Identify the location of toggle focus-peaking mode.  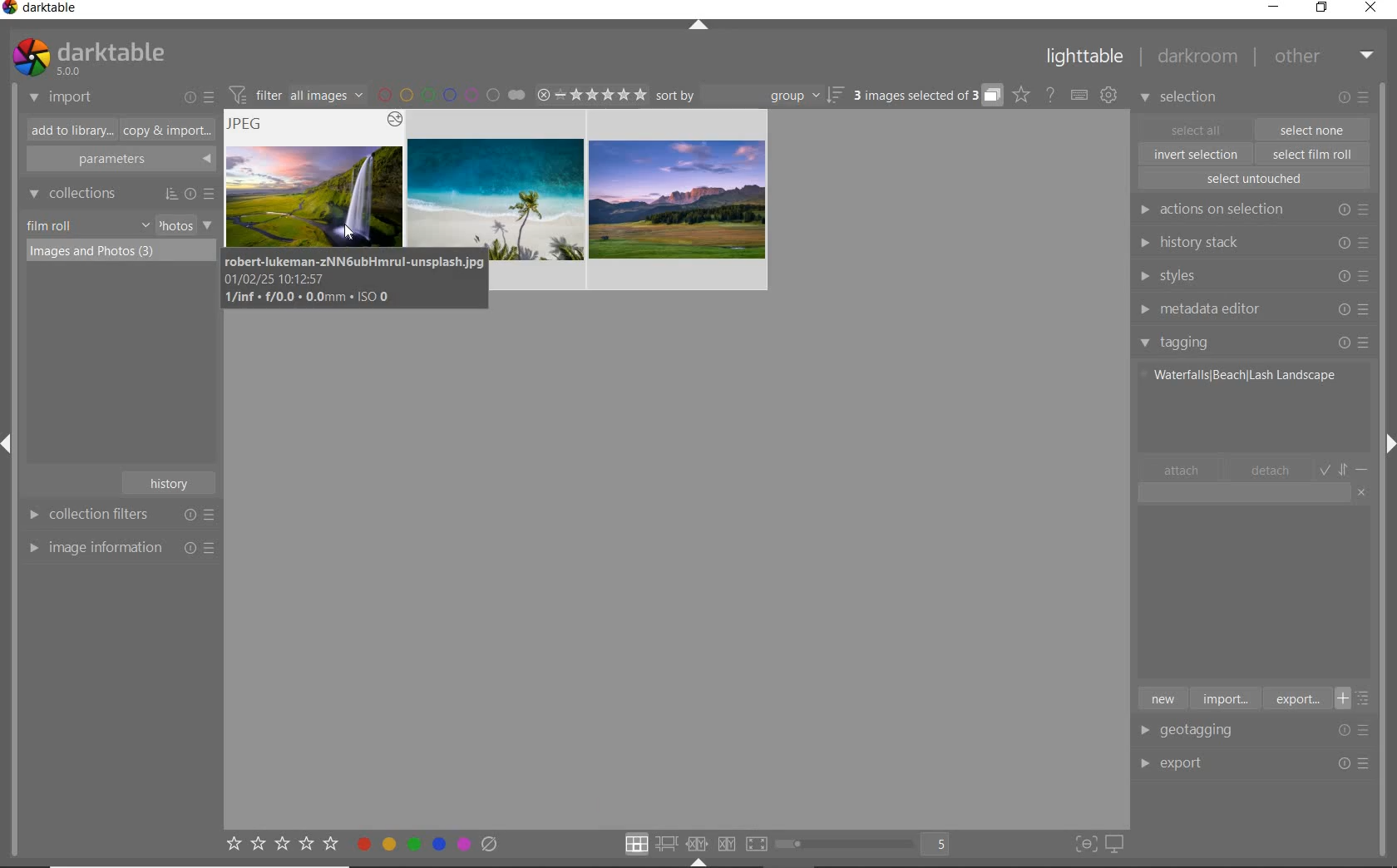
(1084, 842).